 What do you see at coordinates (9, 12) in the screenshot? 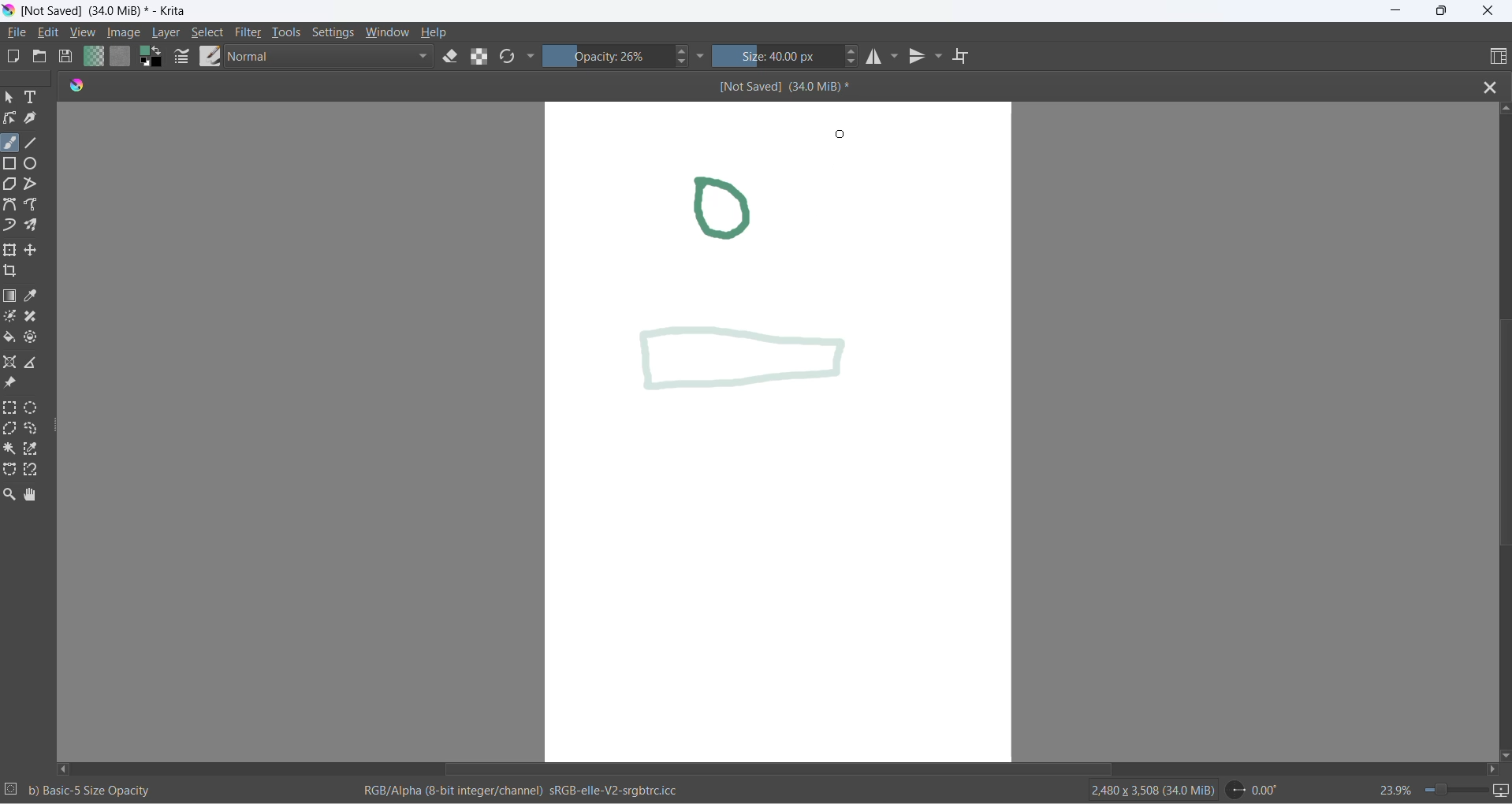
I see `app icon` at bounding box center [9, 12].